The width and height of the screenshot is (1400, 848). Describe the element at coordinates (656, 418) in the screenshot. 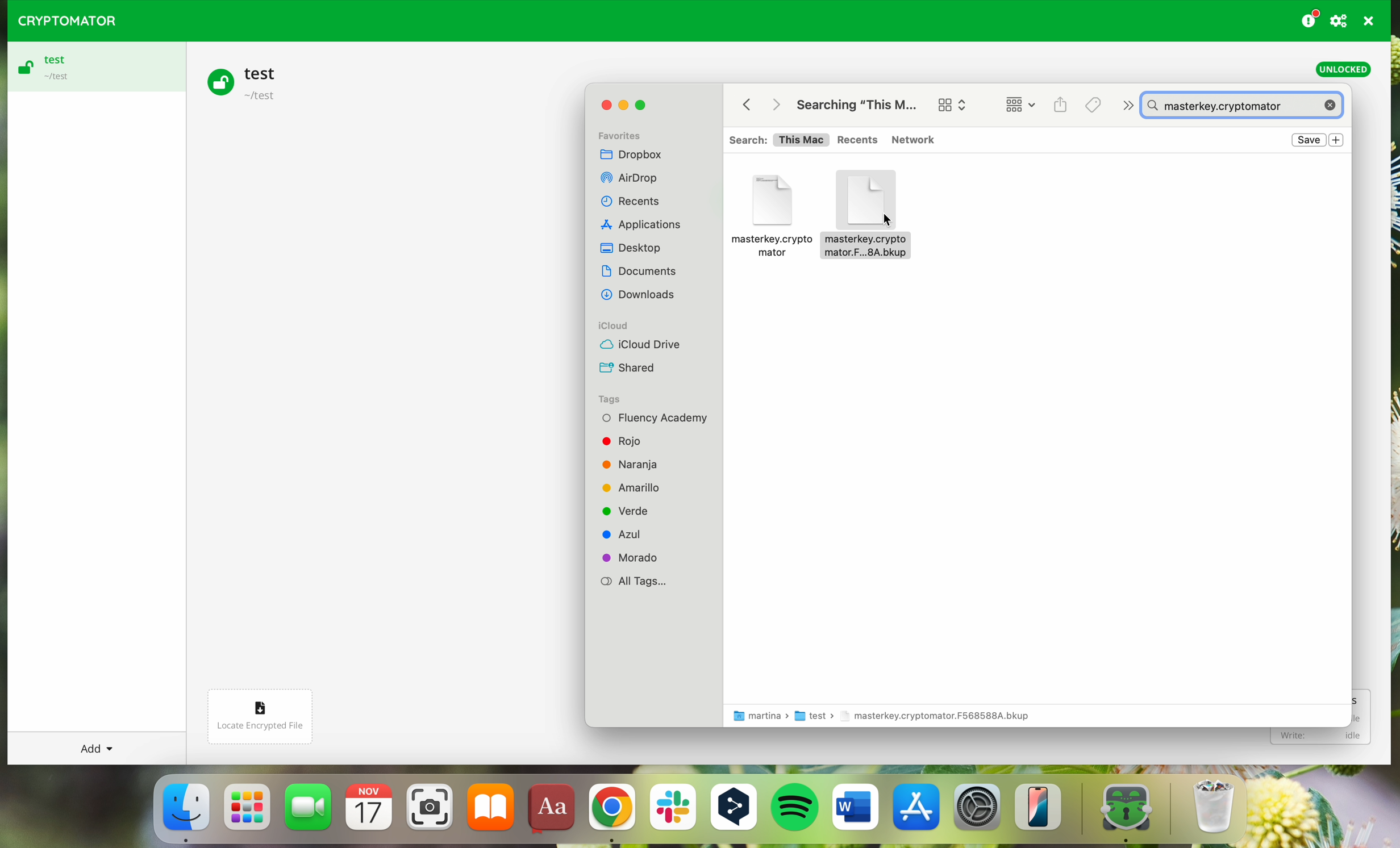

I see `Fluency Academy` at that location.